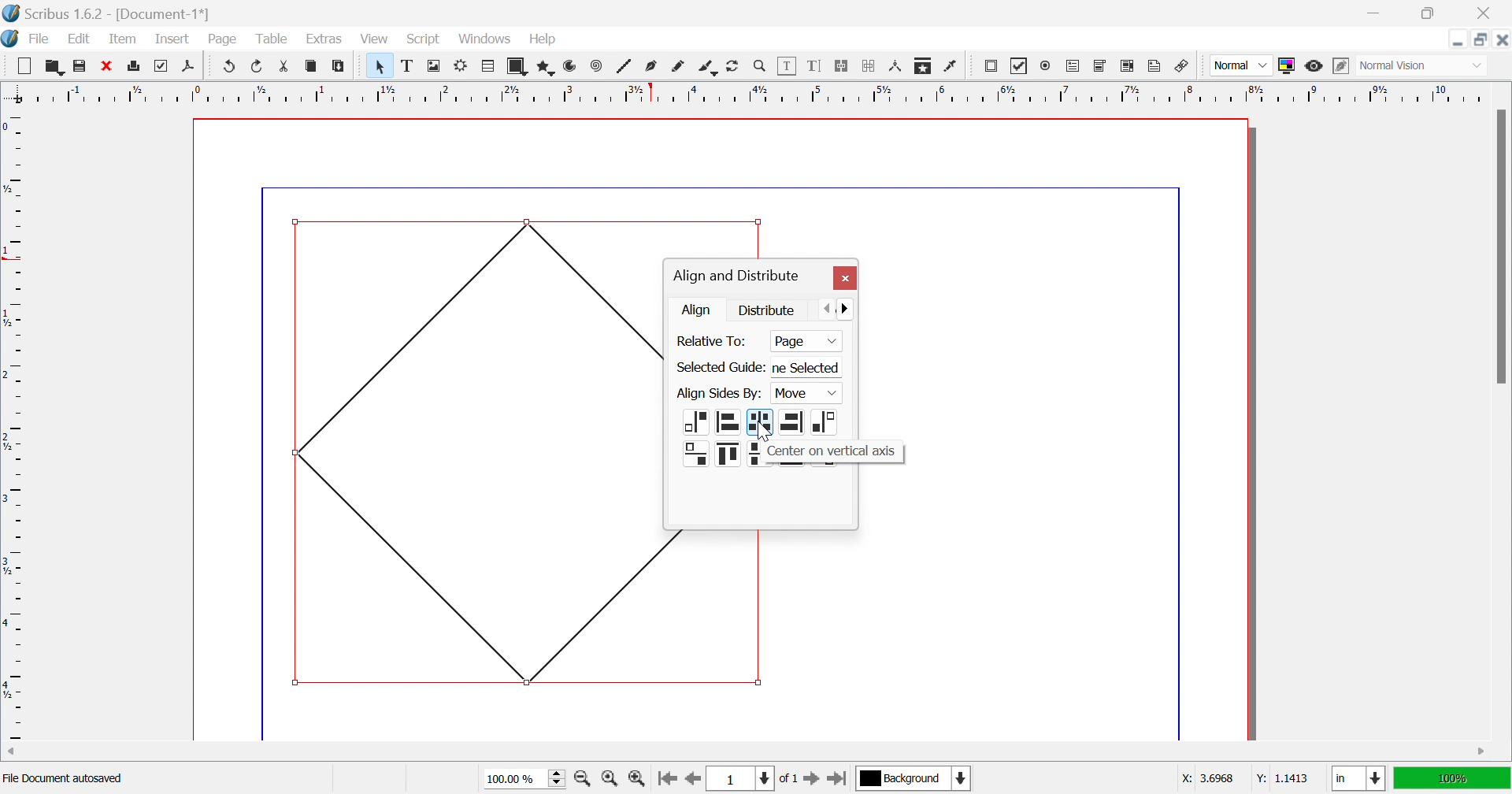 This screenshot has height=794, width=1512. Describe the element at coordinates (1360, 780) in the screenshot. I see `in` at that location.